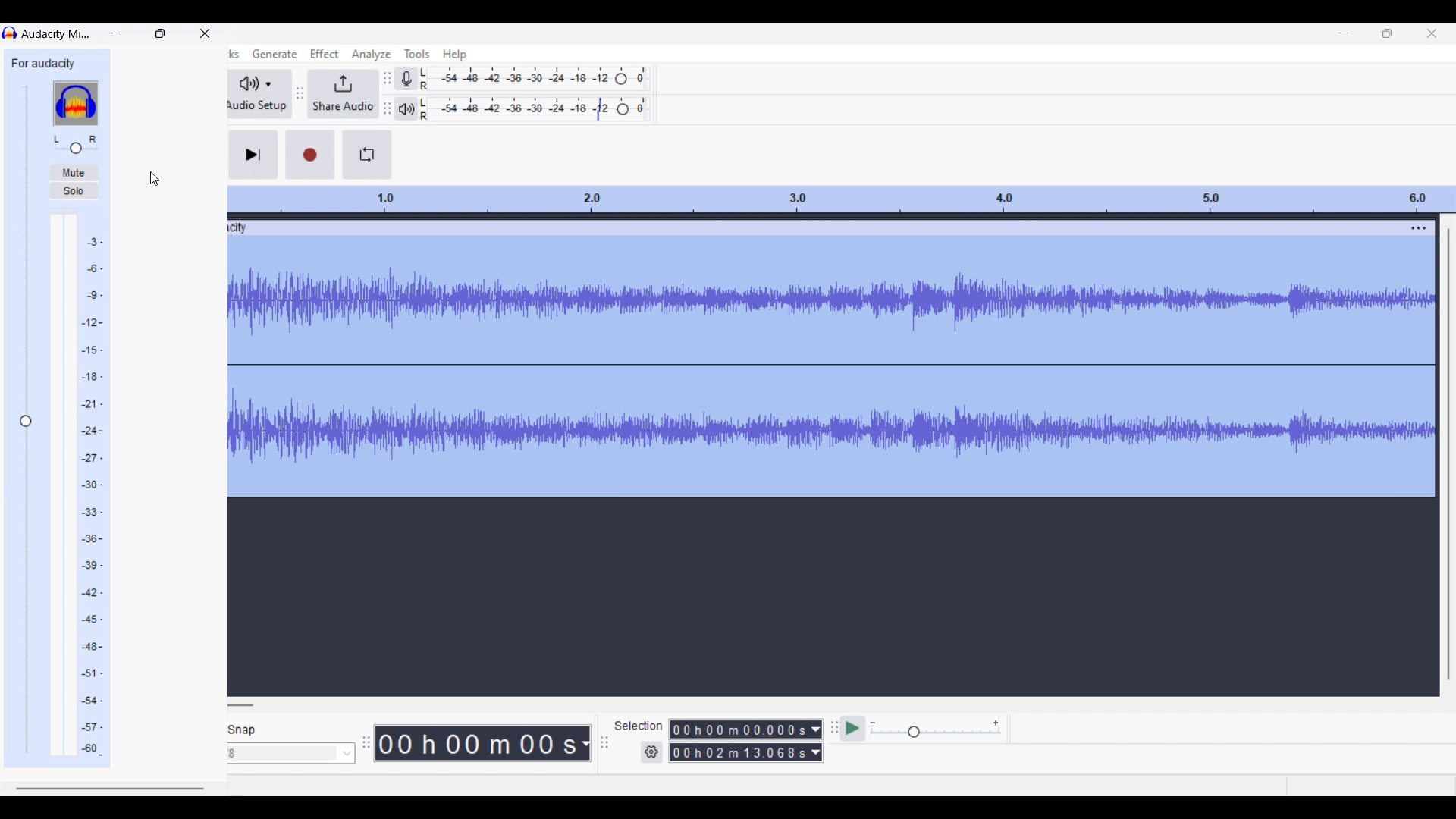 This screenshot has width=1456, height=819. Describe the element at coordinates (43, 63) in the screenshot. I see `Project name` at that location.